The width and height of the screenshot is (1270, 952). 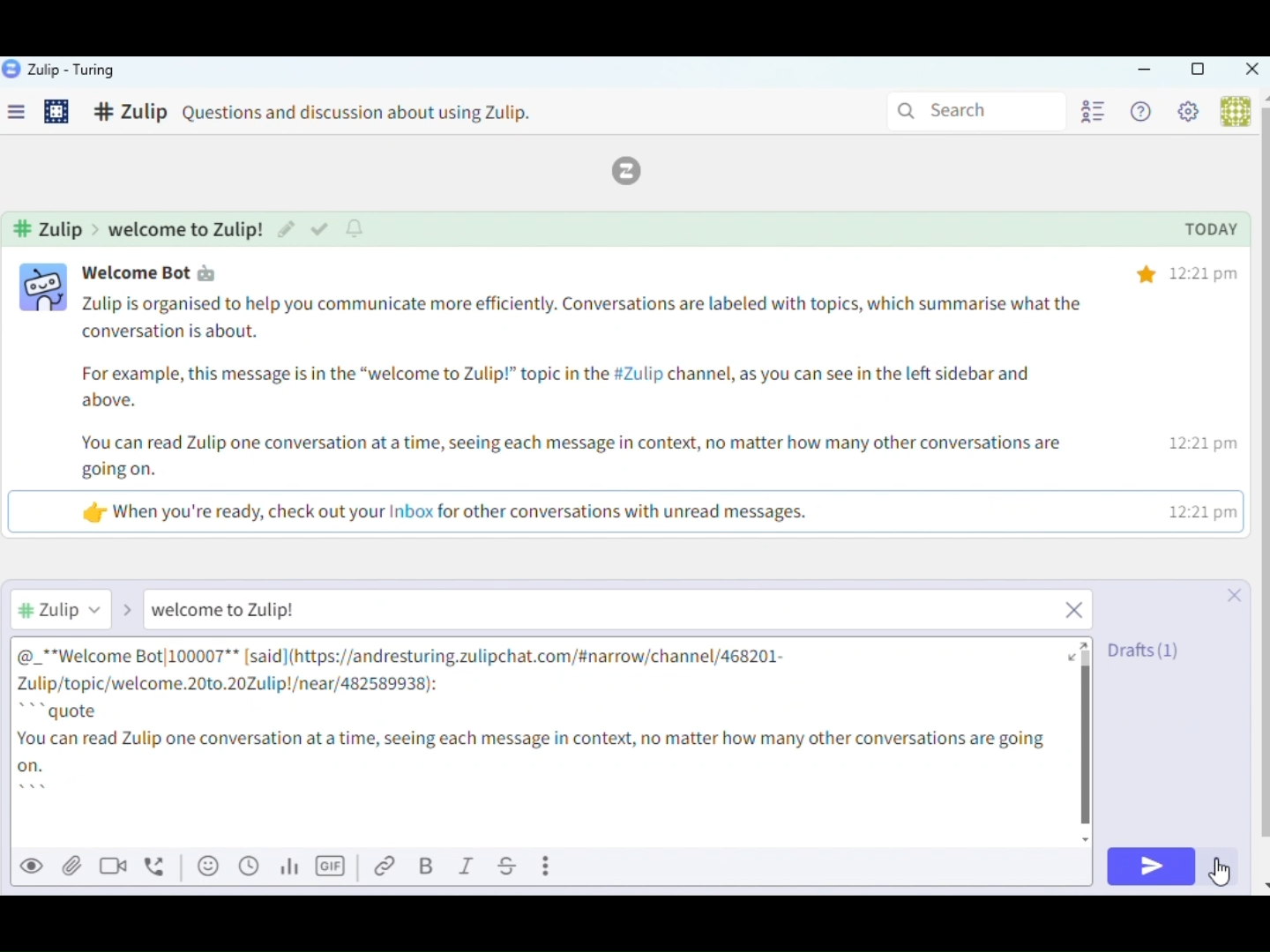 I want to click on star, so click(x=1147, y=271).